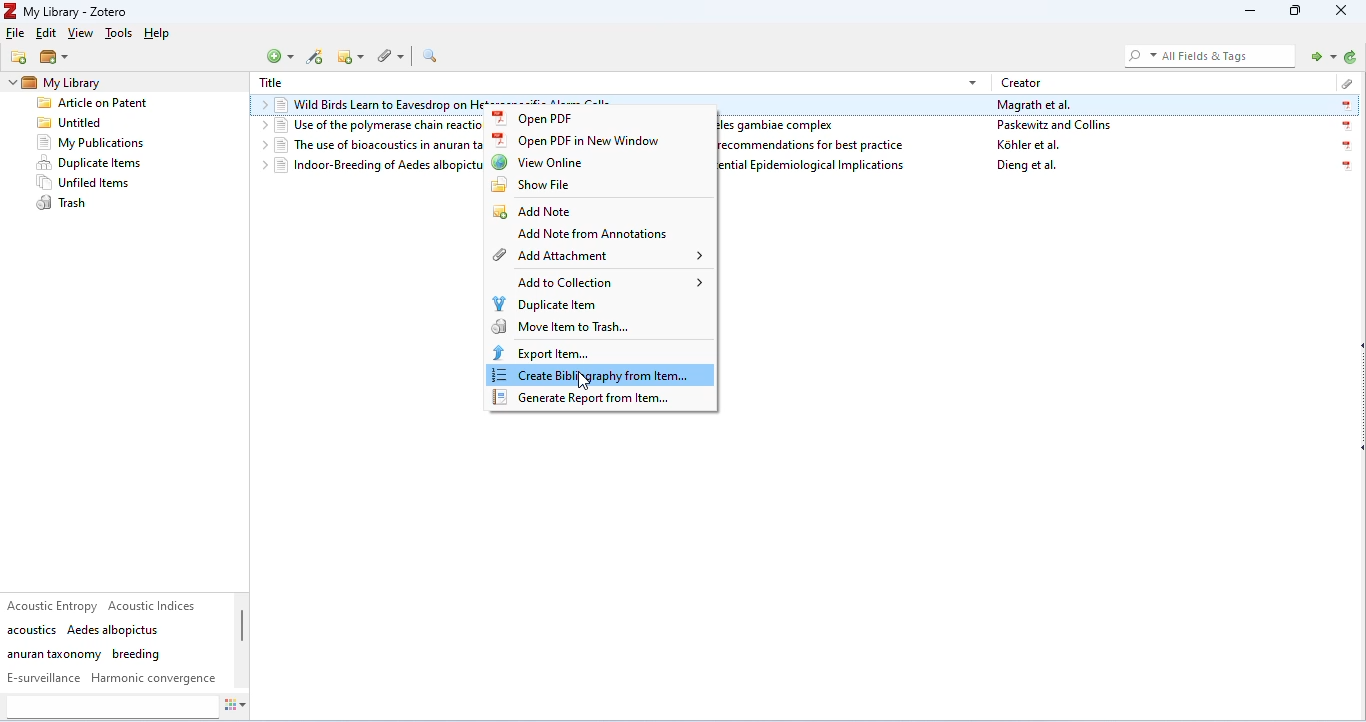 This screenshot has width=1366, height=722. Describe the element at coordinates (546, 303) in the screenshot. I see `duplicate item` at that location.